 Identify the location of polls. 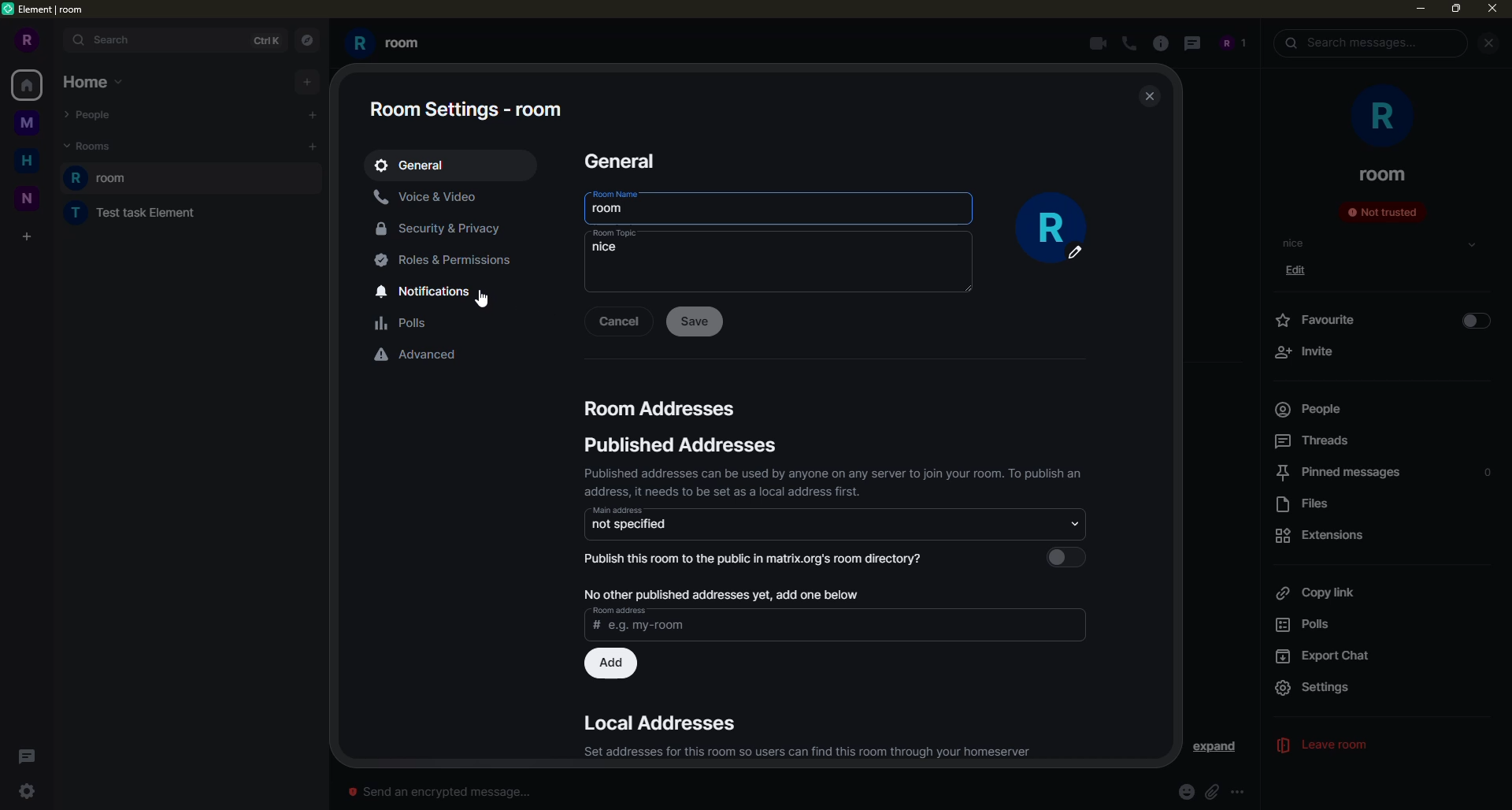
(1313, 626).